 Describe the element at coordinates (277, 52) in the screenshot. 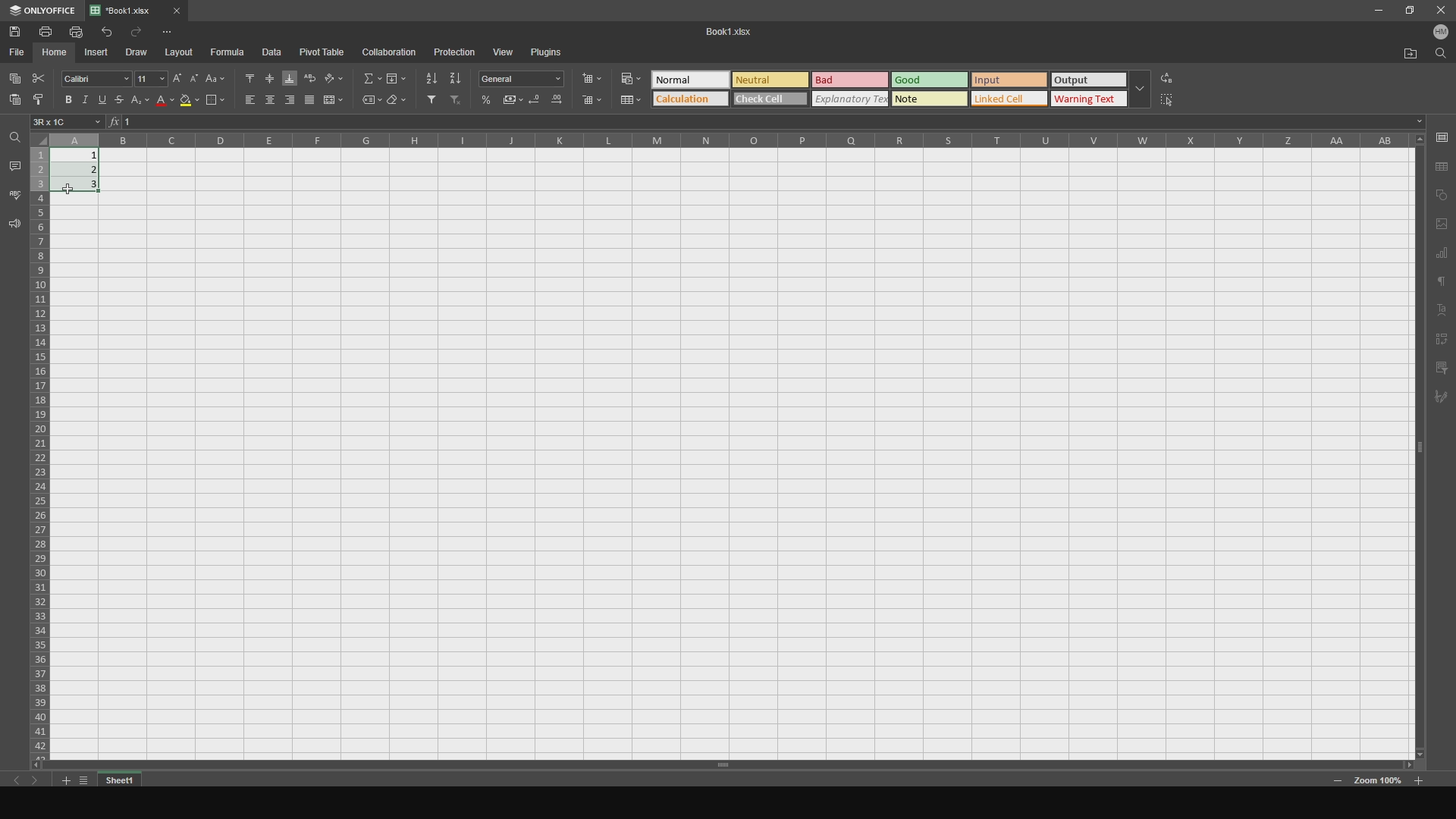

I see `data` at that location.